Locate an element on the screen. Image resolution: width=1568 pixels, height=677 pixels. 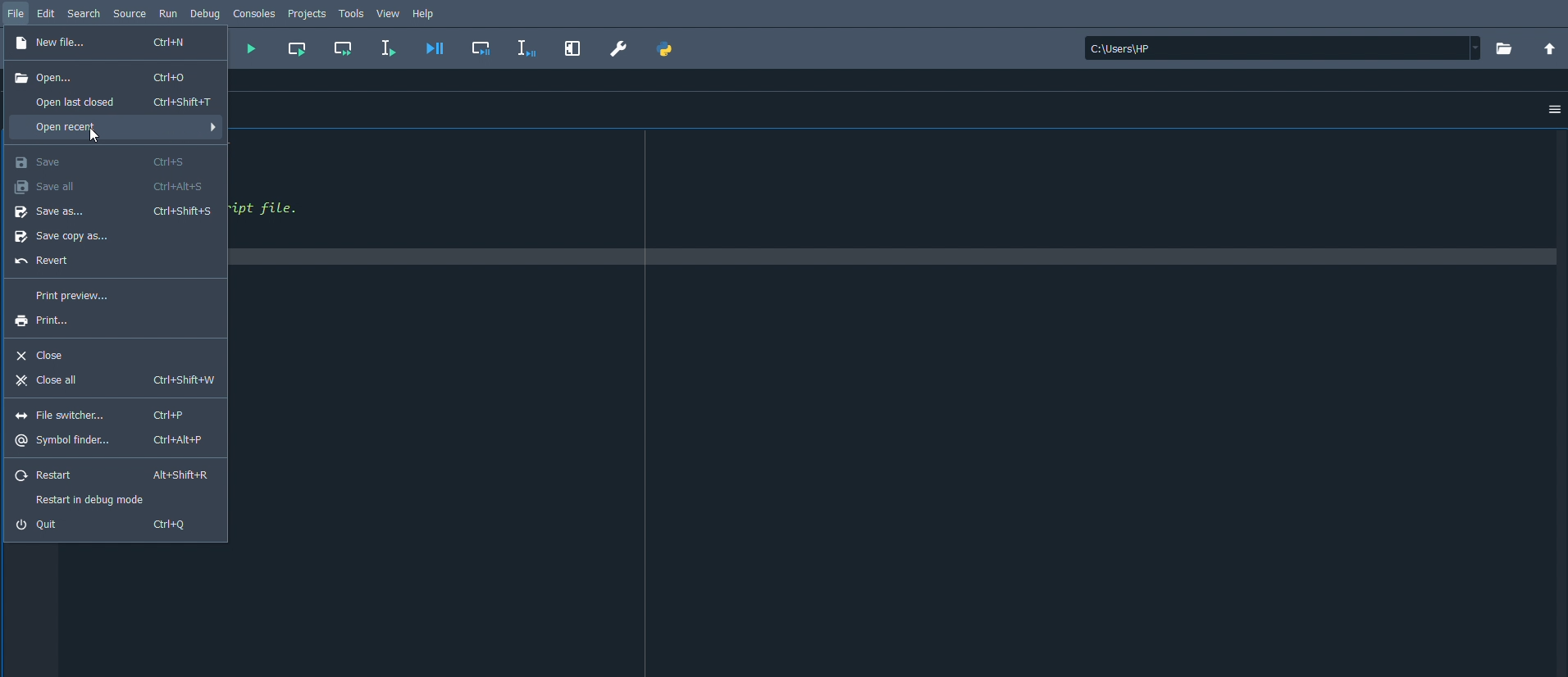
Run is located at coordinates (170, 12).